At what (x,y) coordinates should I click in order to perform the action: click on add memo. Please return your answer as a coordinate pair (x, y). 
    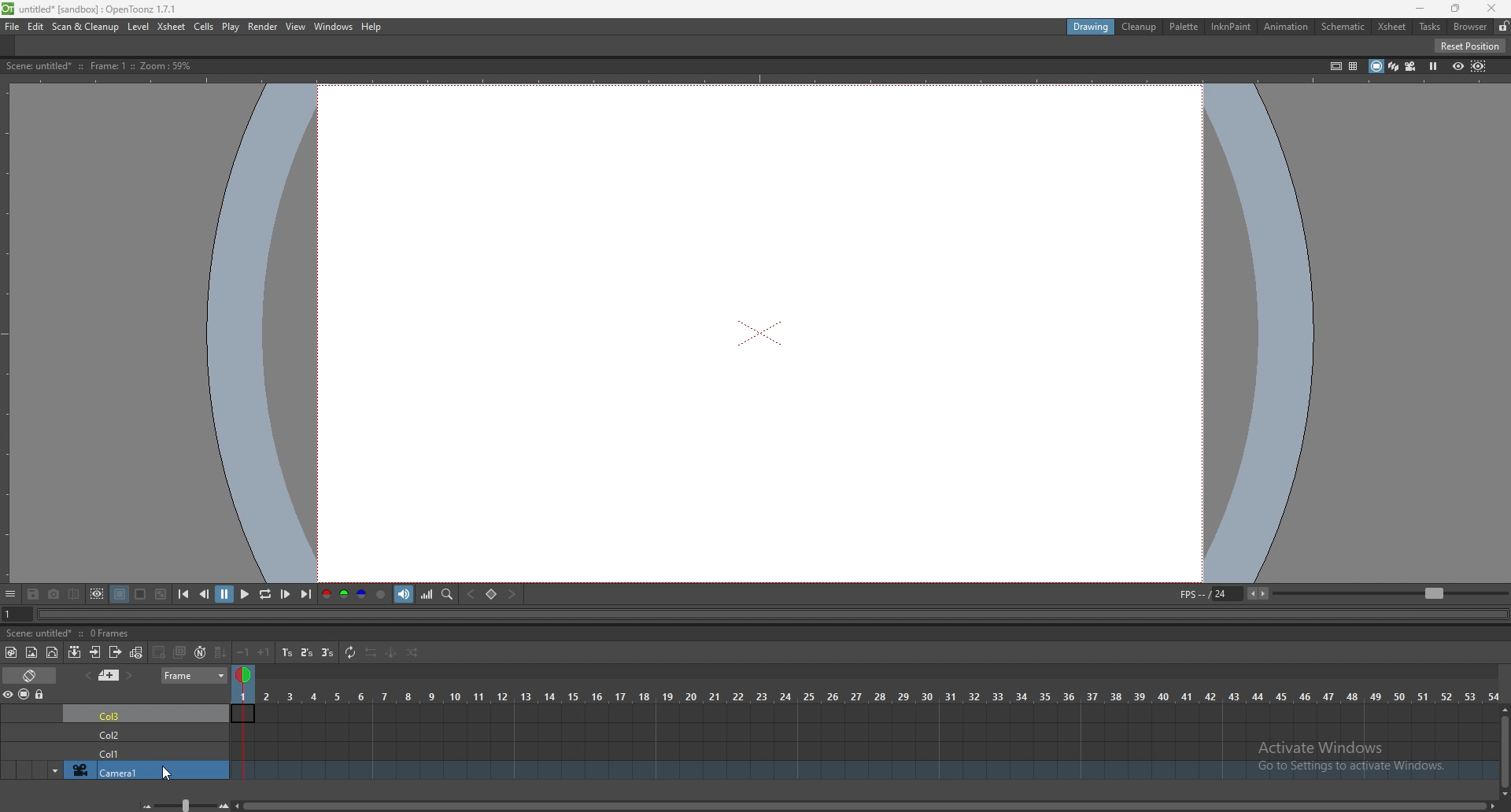
    Looking at the image, I should click on (109, 675).